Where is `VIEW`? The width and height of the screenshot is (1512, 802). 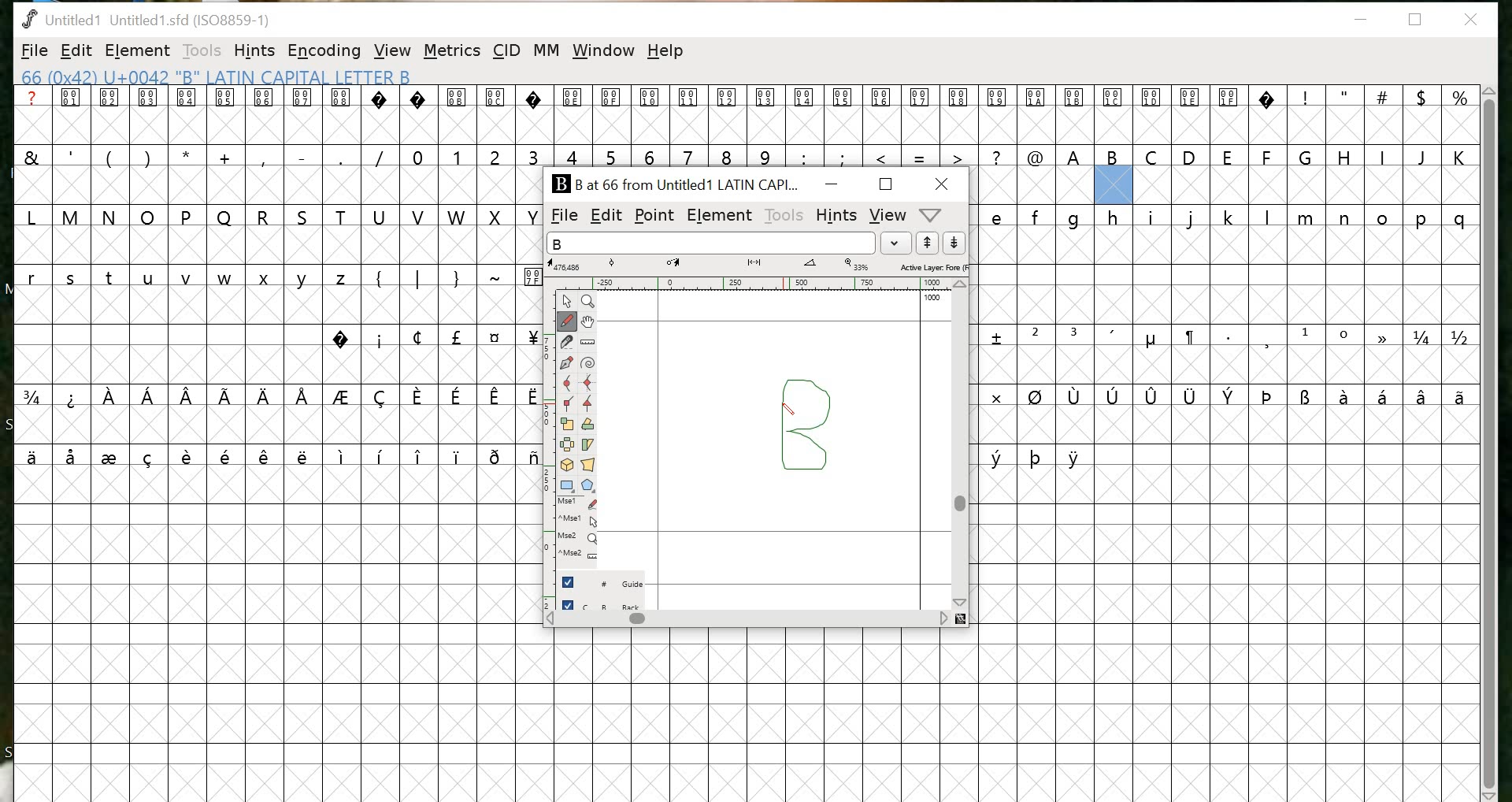 VIEW is located at coordinates (394, 51).